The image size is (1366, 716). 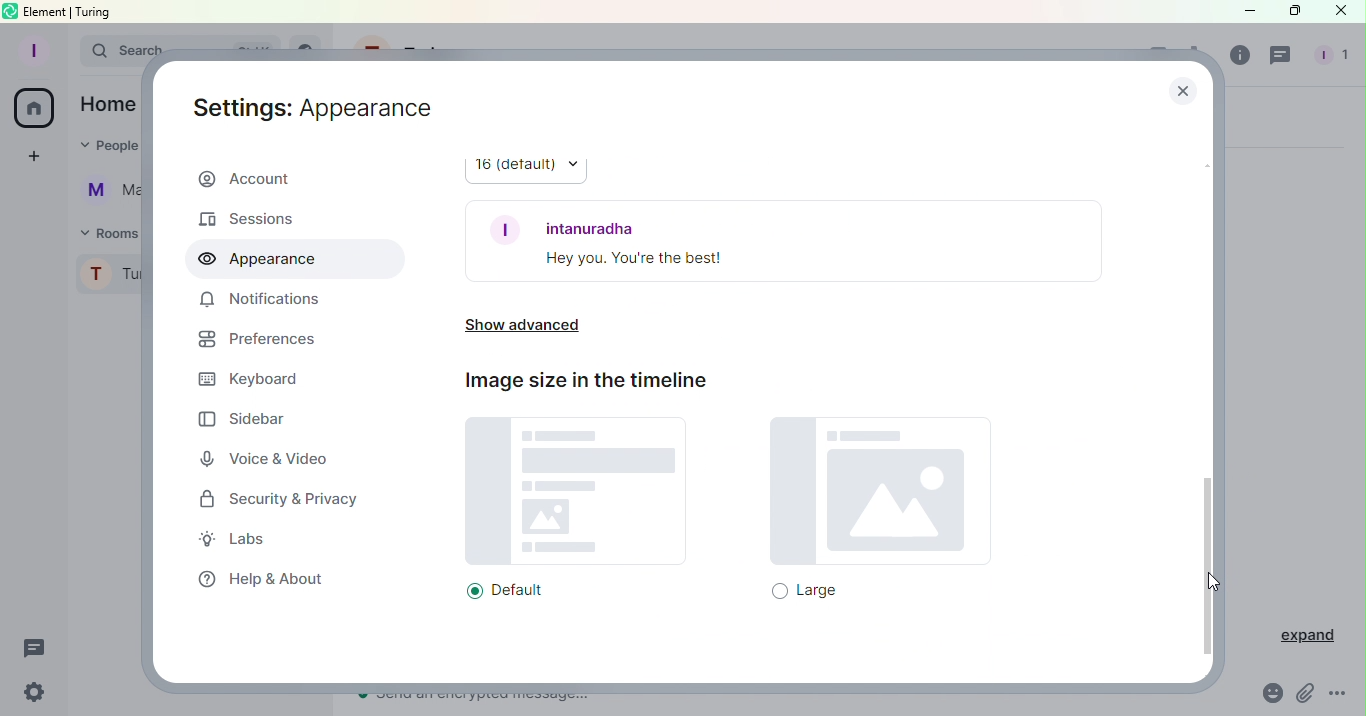 What do you see at coordinates (256, 301) in the screenshot?
I see `Notifications` at bounding box center [256, 301].